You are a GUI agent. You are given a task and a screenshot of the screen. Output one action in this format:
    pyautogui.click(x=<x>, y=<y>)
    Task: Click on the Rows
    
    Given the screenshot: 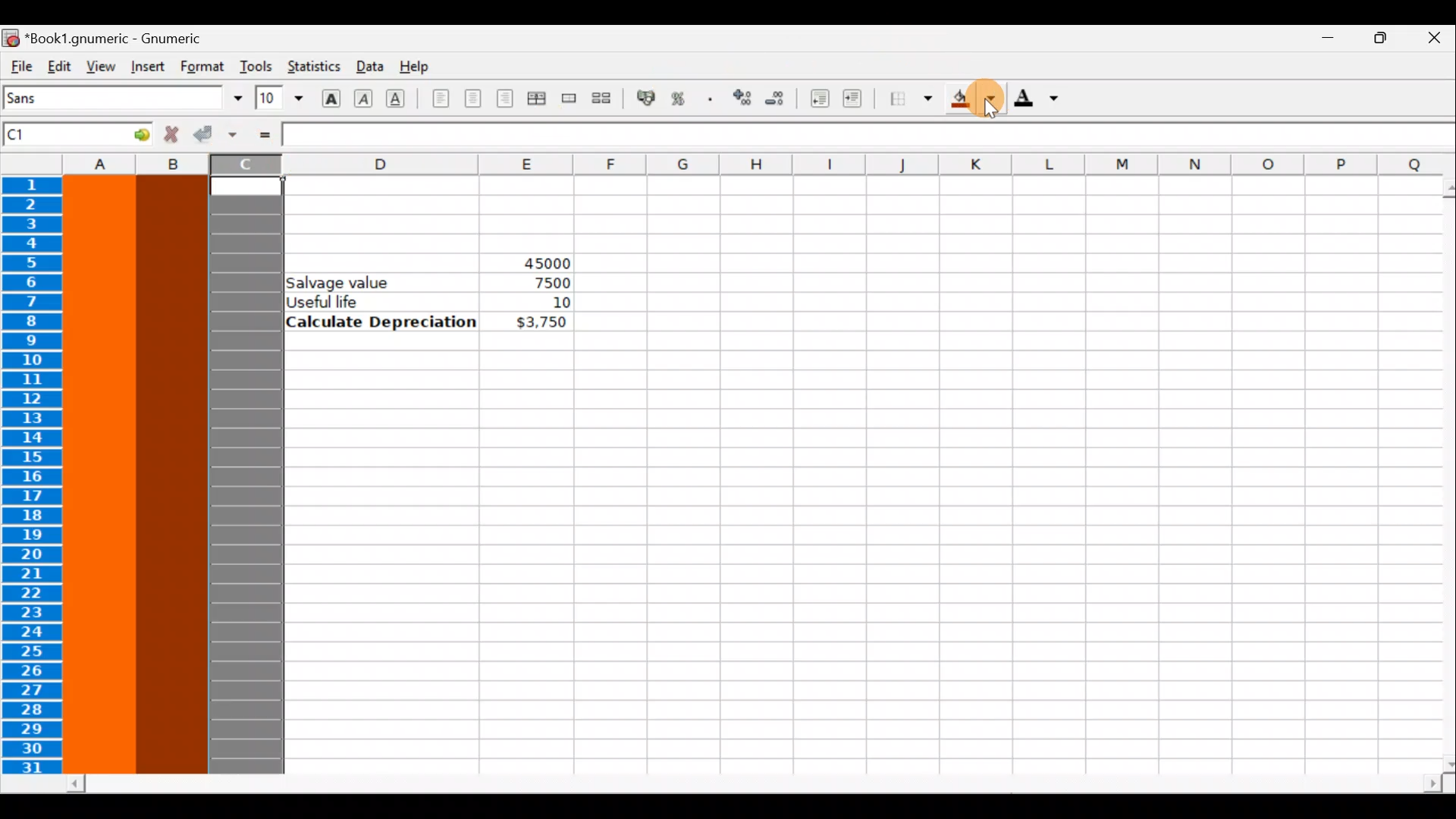 What is the action you would take?
    pyautogui.click(x=36, y=477)
    